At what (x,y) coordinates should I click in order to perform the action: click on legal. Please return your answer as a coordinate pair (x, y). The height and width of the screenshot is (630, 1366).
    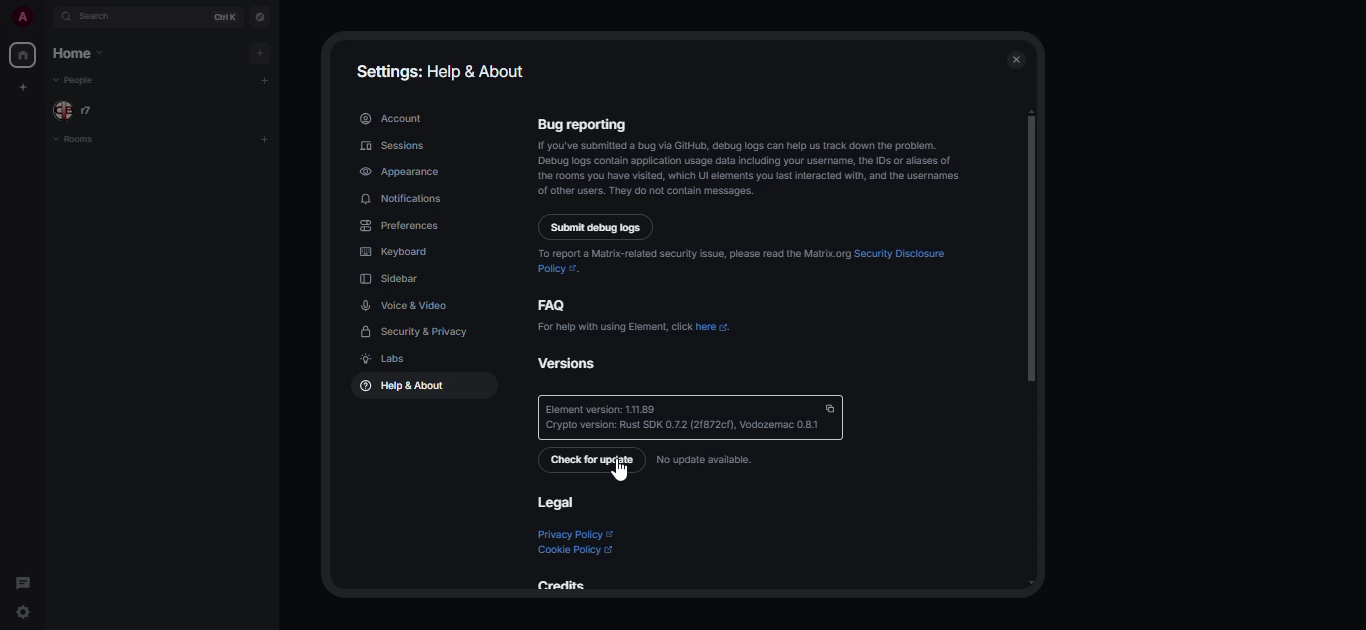
    Looking at the image, I should click on (556, 500).